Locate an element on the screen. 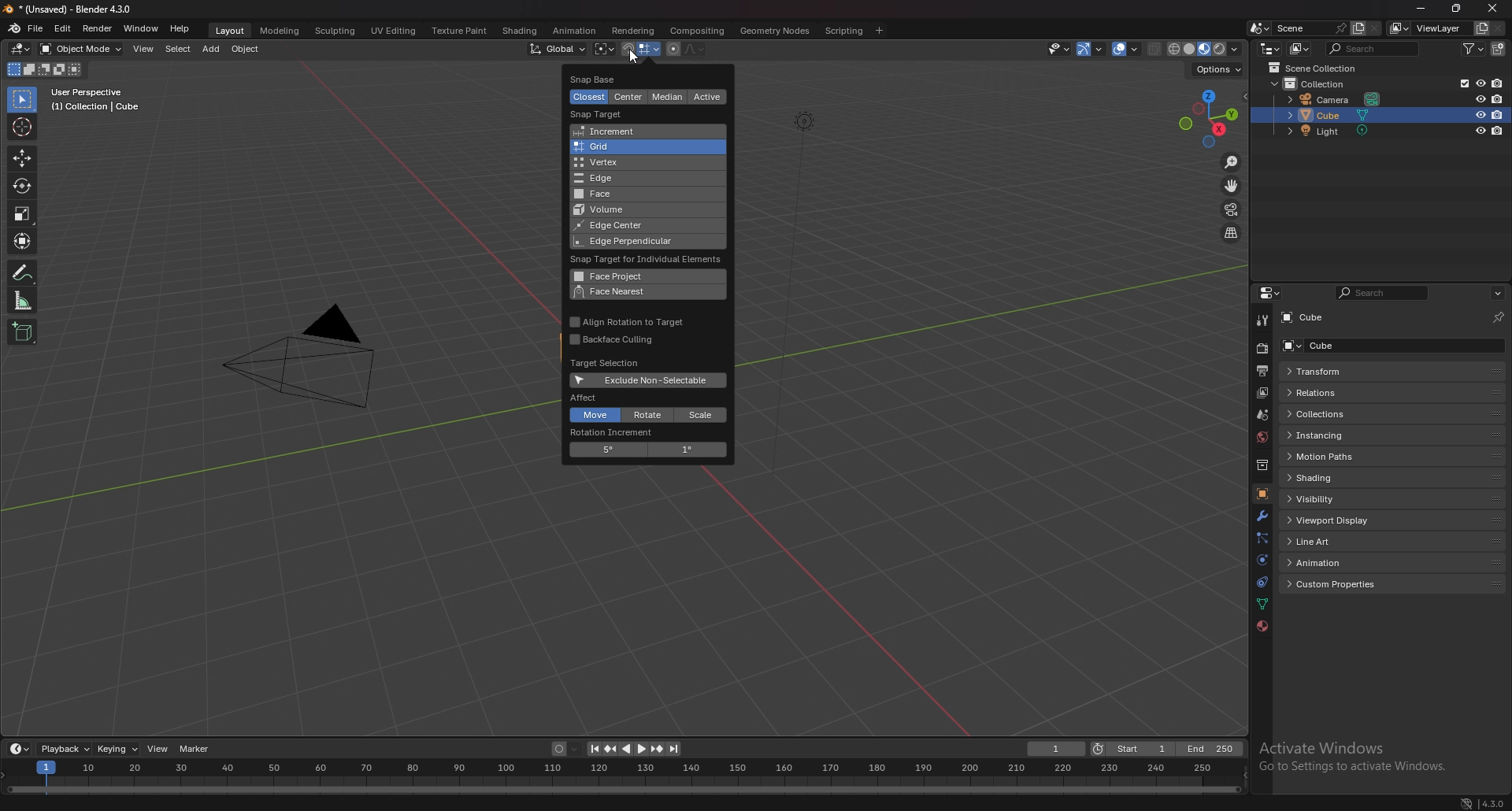 This screenshot has width=1512, height=811. snap base is located at coordinates (608, 78).